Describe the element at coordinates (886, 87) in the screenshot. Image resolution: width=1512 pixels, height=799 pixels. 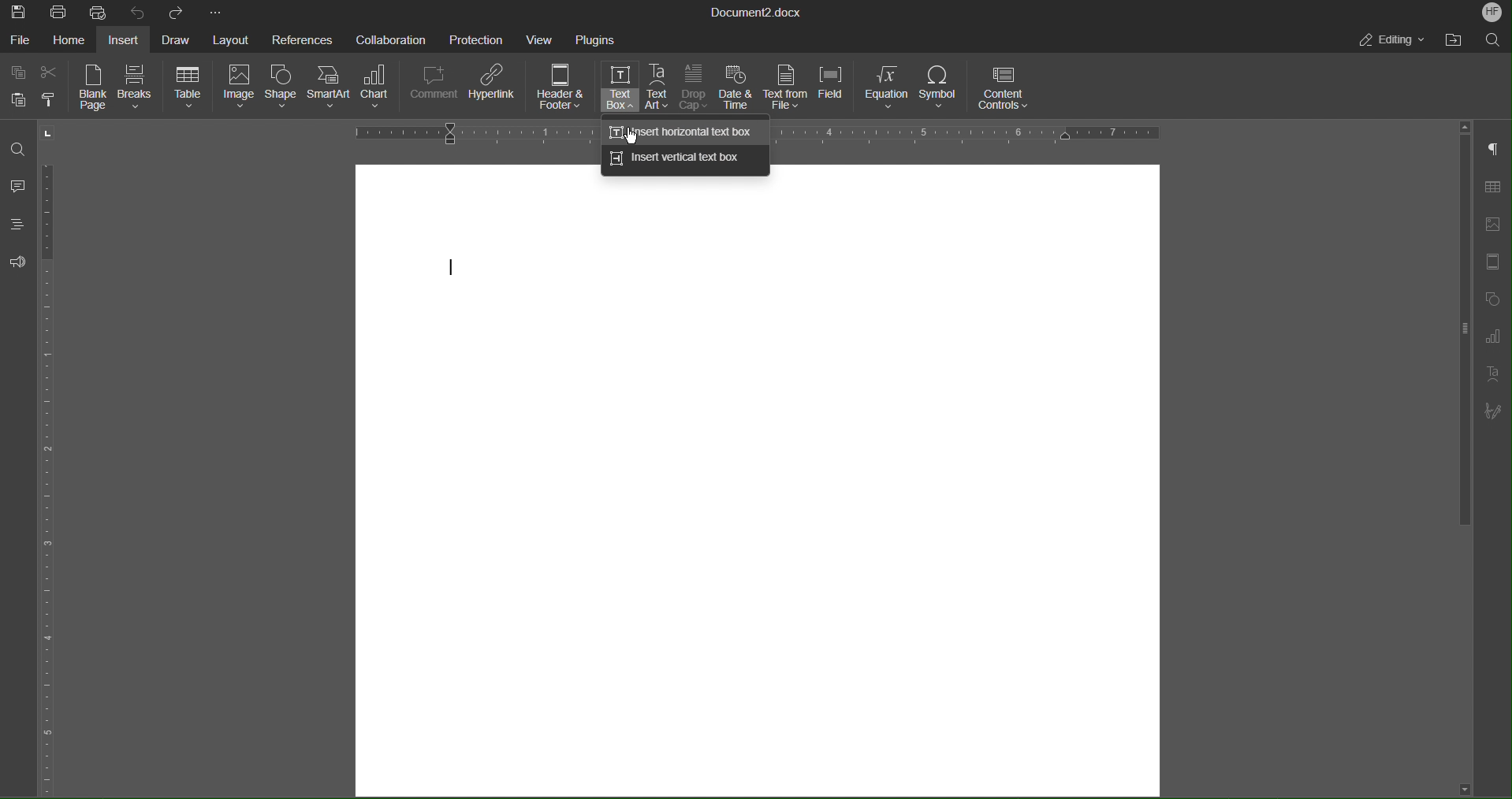
I see `Equation` at that location.